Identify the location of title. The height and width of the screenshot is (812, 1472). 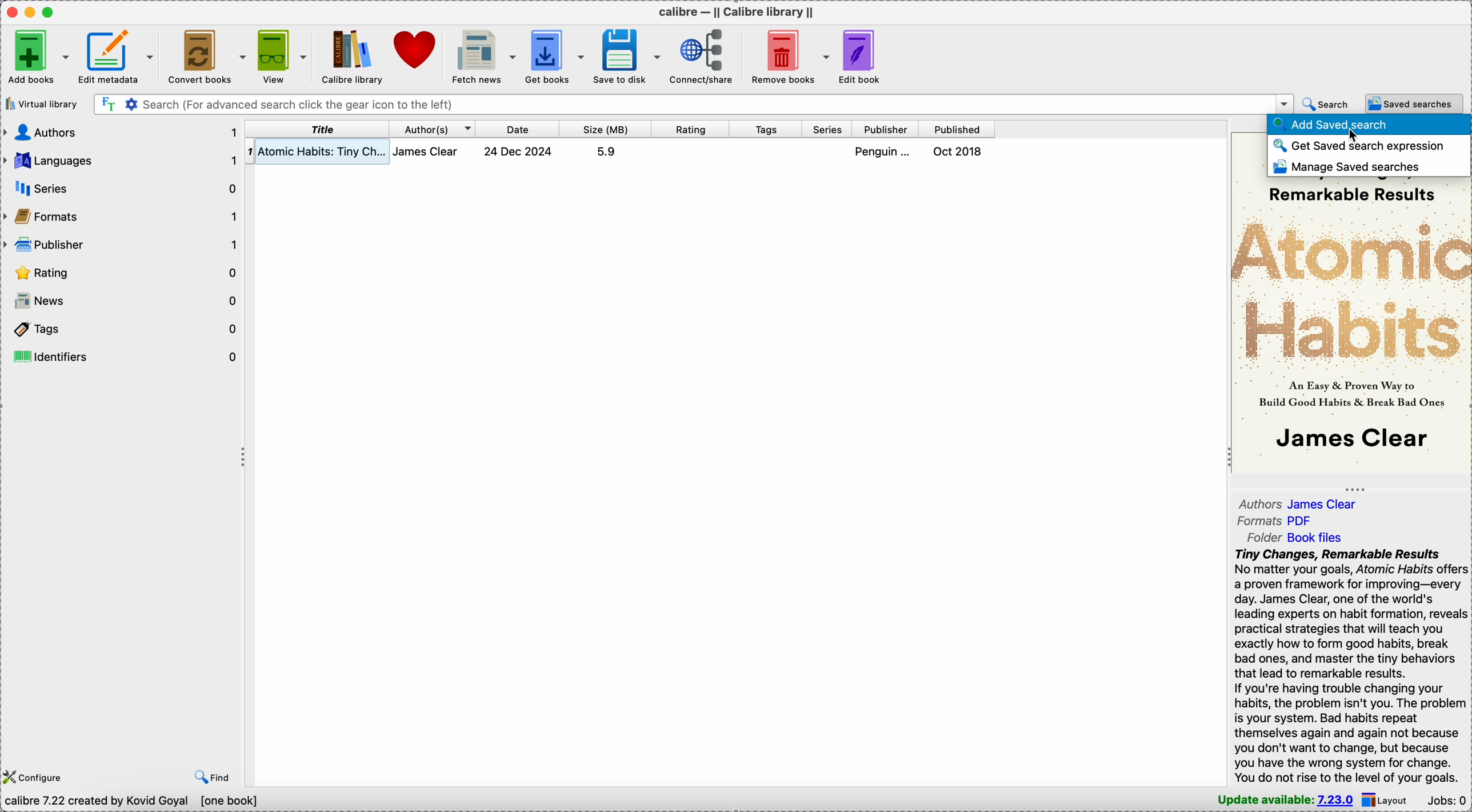
(318, 129).